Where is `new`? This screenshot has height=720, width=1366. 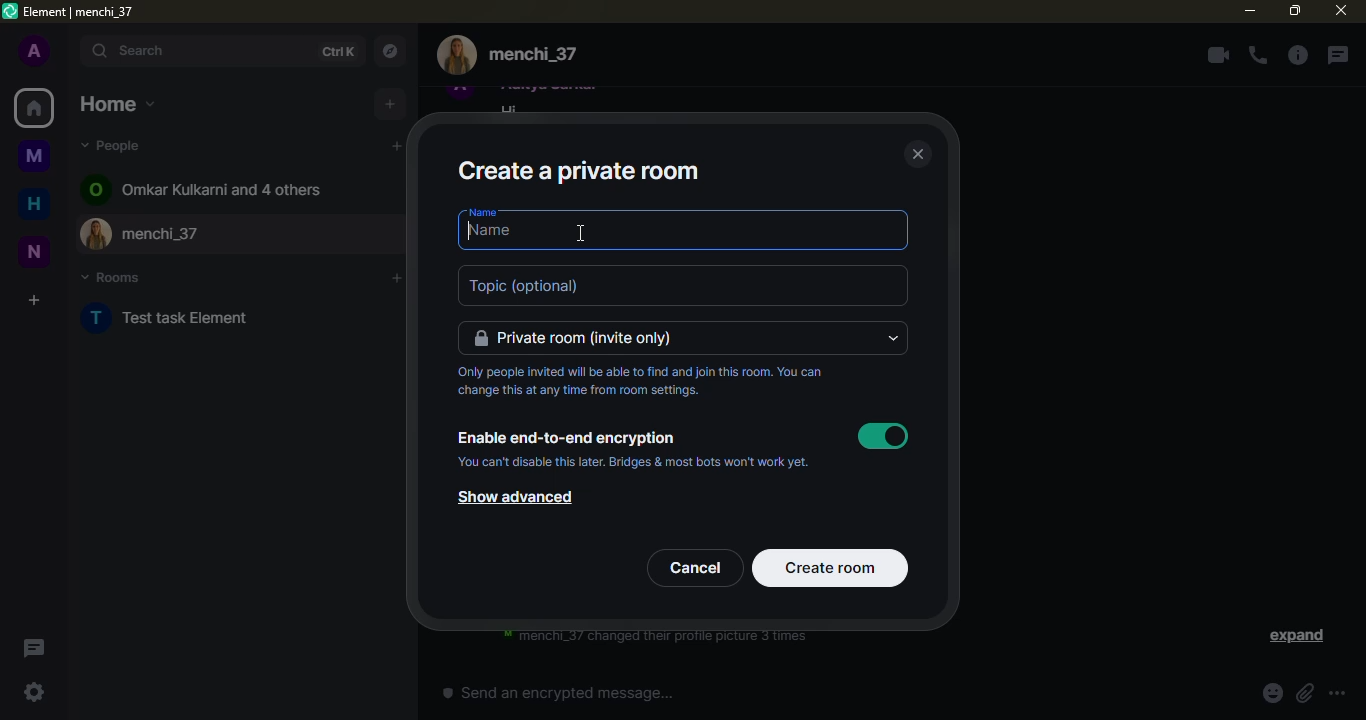
new is located at coordinates (34, 252).